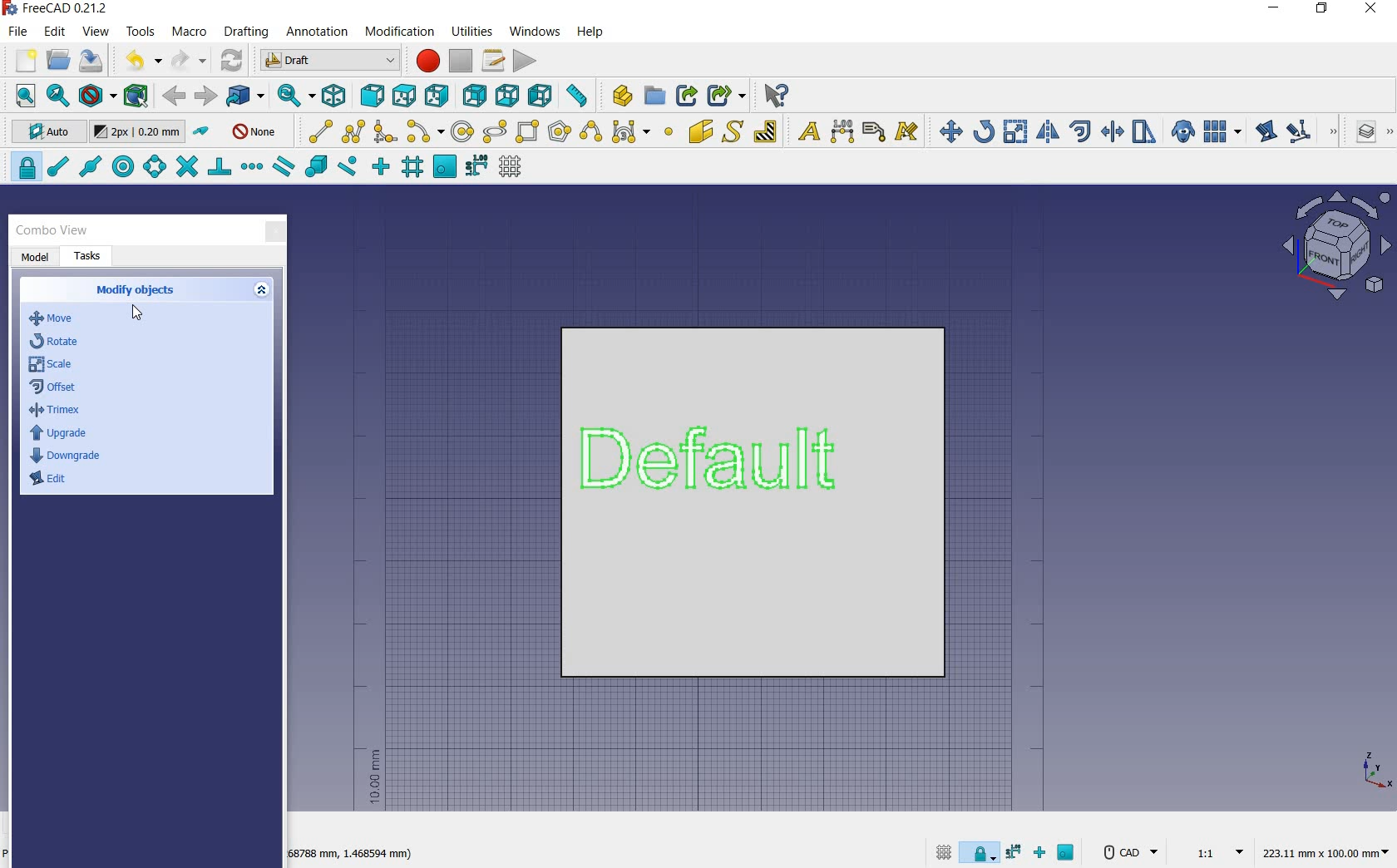 The image size is (1397, 868). Describe the element at coordinates (140, 134) in the screenshot. I see `change default style for new objects` at that location.